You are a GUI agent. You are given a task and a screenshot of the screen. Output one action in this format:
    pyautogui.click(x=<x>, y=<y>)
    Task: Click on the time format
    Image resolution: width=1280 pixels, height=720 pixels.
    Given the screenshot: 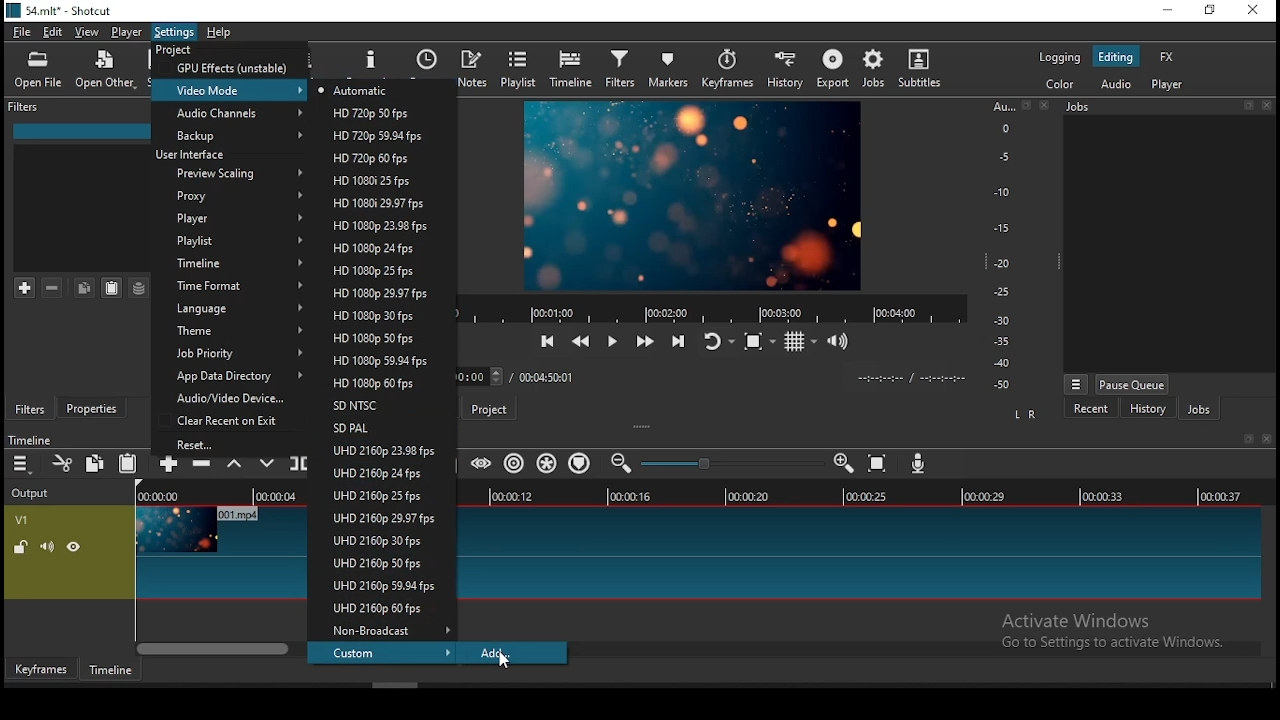 What is the action you would take?
    pyautogui.click(x=228, y=285)
    